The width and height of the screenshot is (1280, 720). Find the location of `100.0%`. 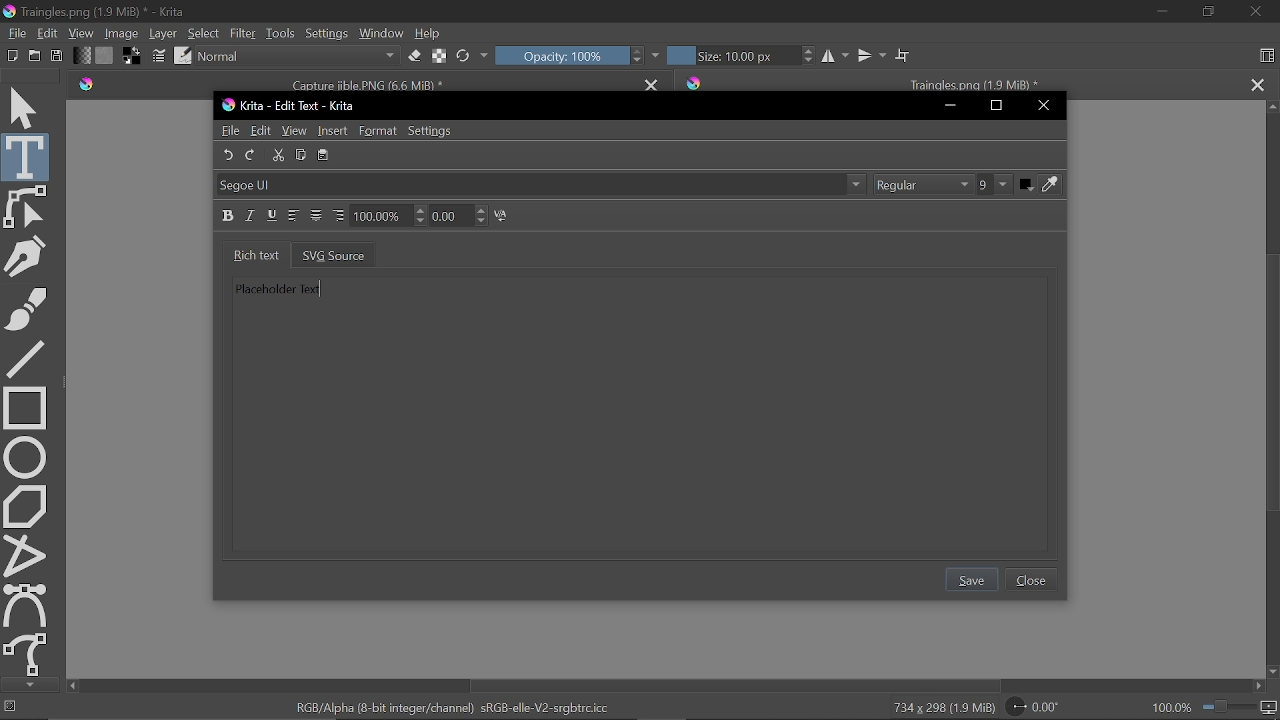

100.0% is located at coordinates (1215, 707).